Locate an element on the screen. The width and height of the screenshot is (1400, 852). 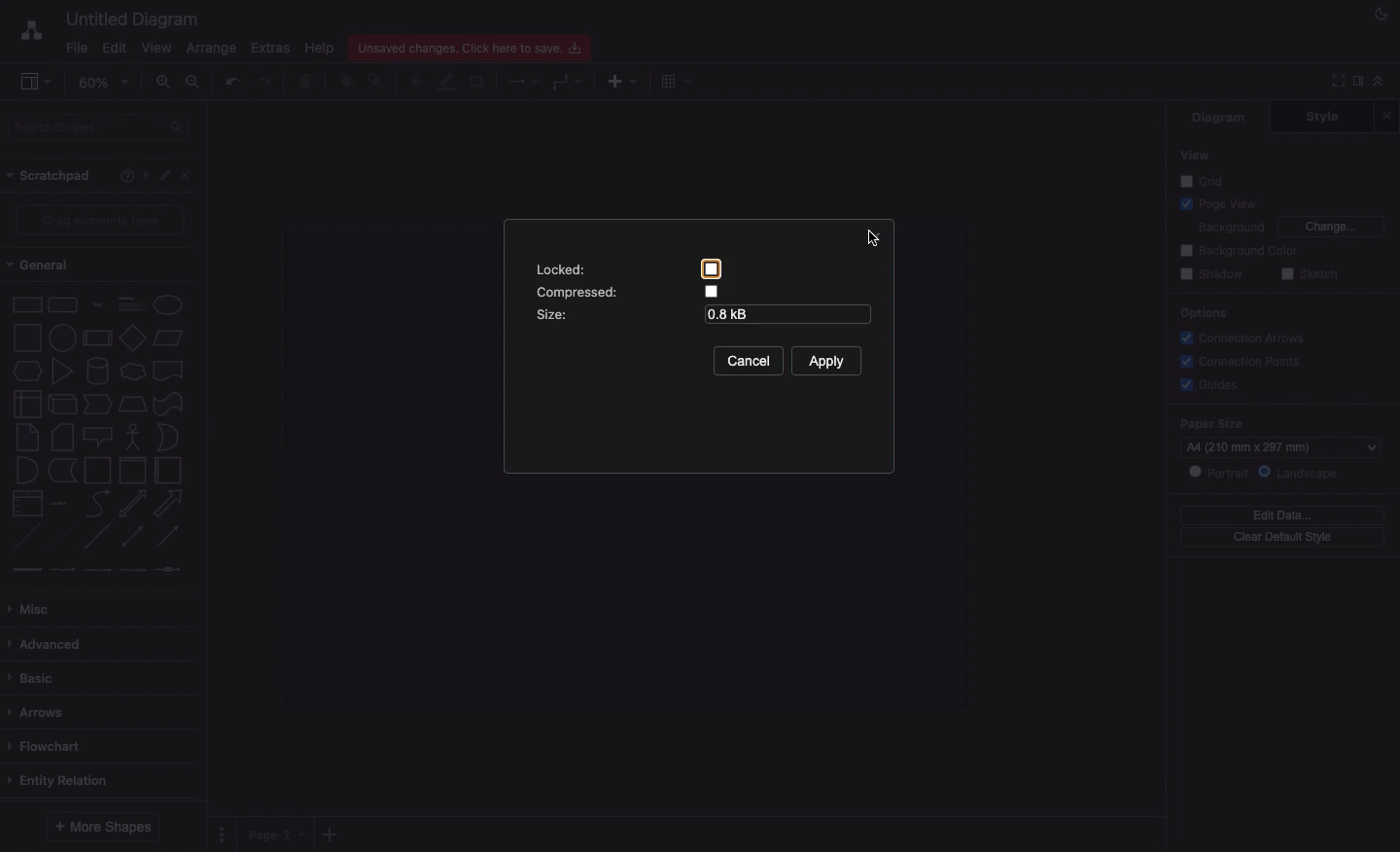
Edit is located at coordinates (116, 48).